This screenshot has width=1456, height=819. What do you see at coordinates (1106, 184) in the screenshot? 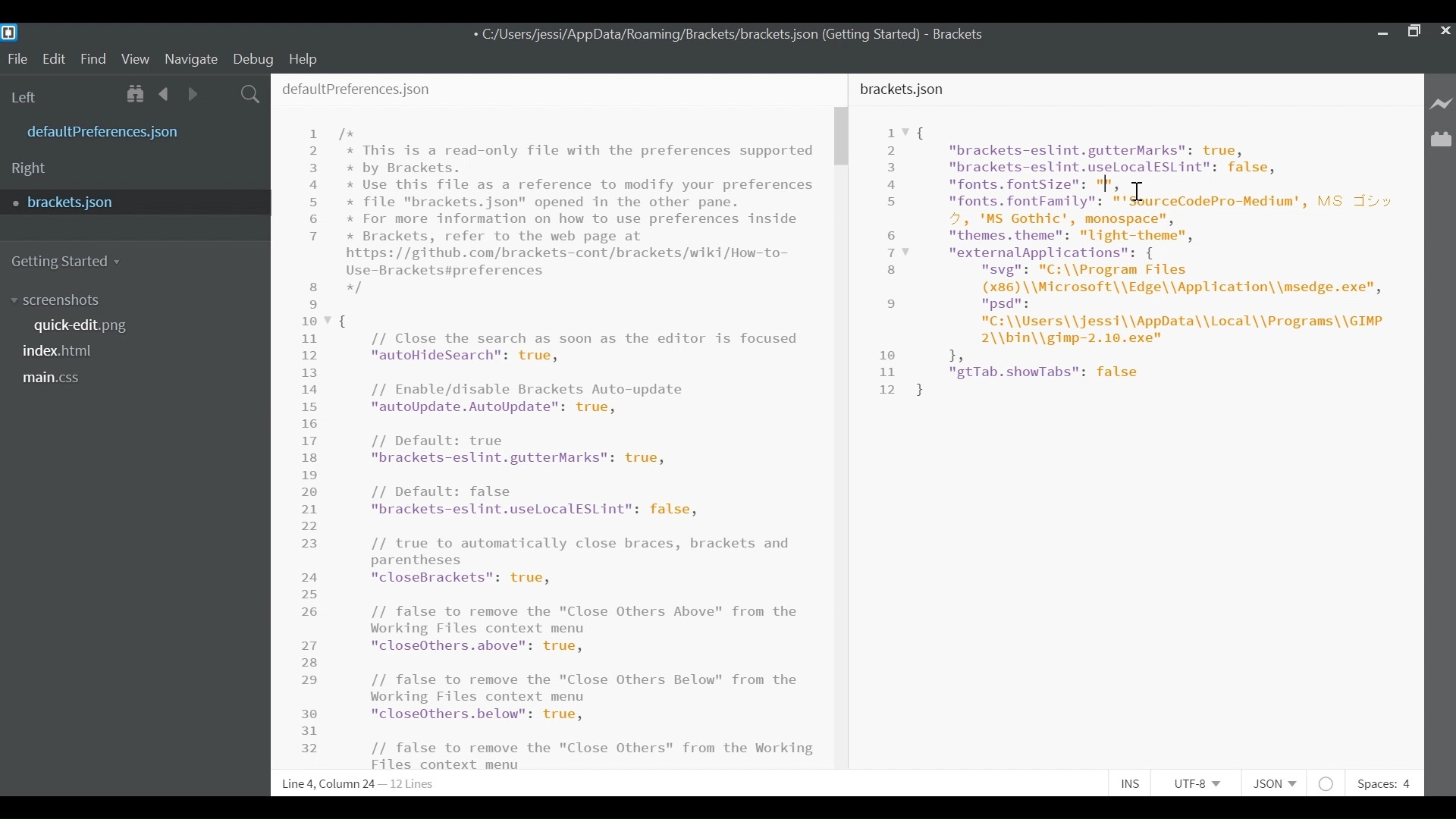
I see `Text cursor` at bounding box center [1106, 184].